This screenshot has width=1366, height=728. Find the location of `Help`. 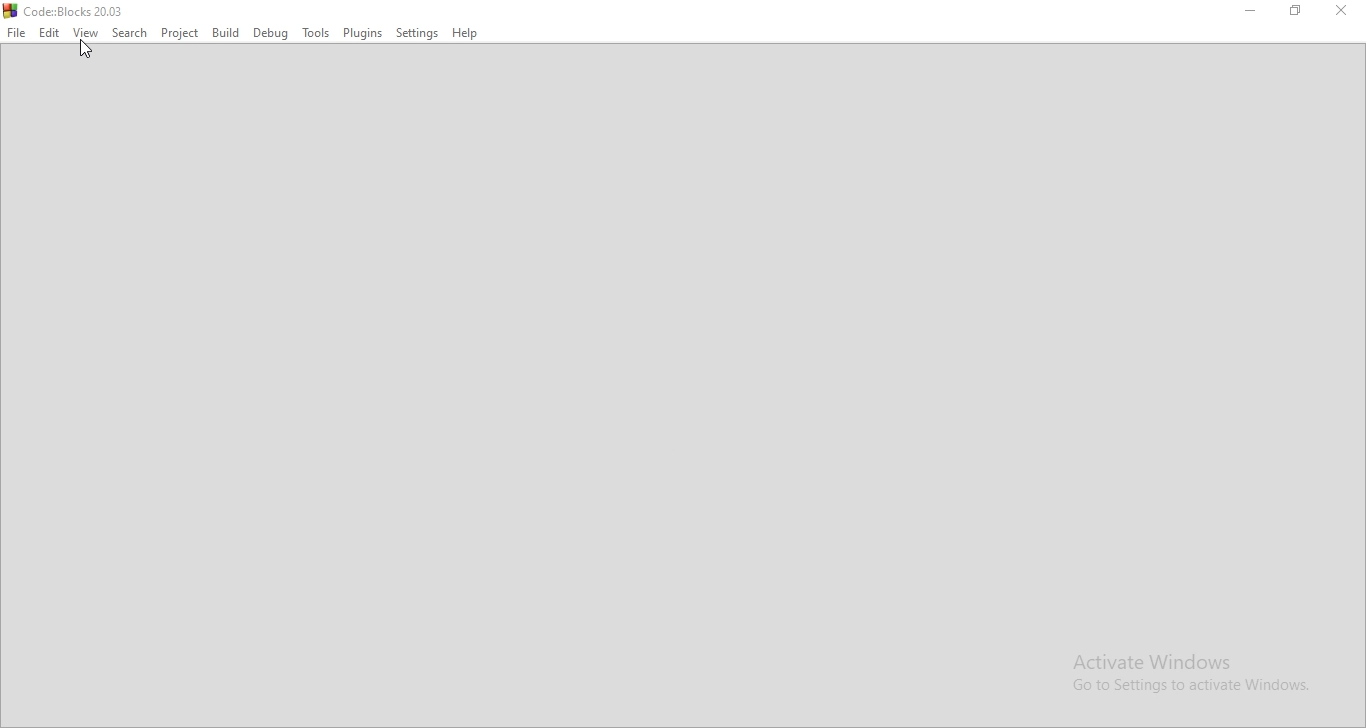

Help is located at coordinates (468, 34).